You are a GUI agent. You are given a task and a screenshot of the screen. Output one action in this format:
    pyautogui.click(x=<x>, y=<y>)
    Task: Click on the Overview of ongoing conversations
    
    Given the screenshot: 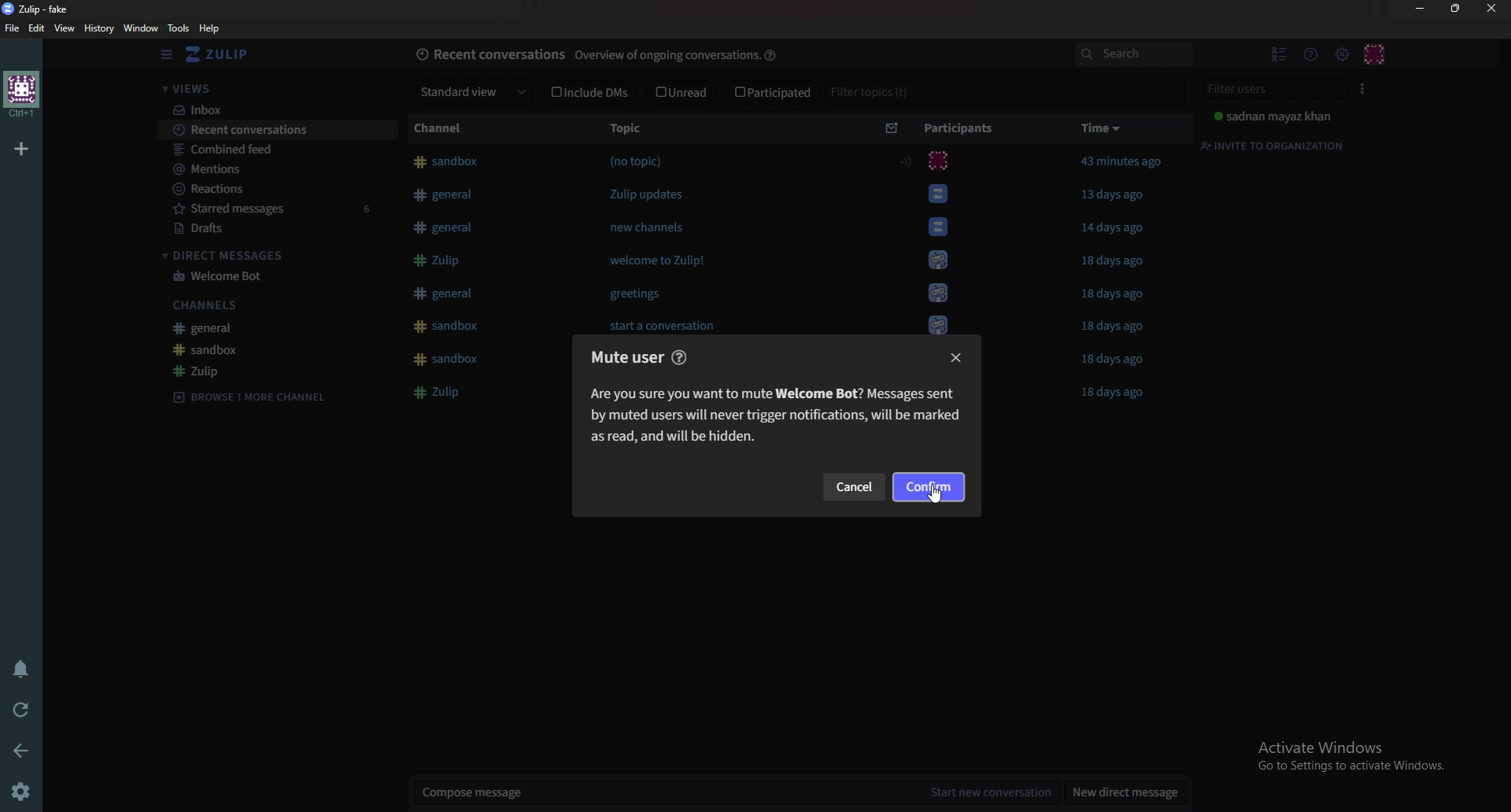 What is the action you would take?
    pyautogui.click(x=667, y=57)
    